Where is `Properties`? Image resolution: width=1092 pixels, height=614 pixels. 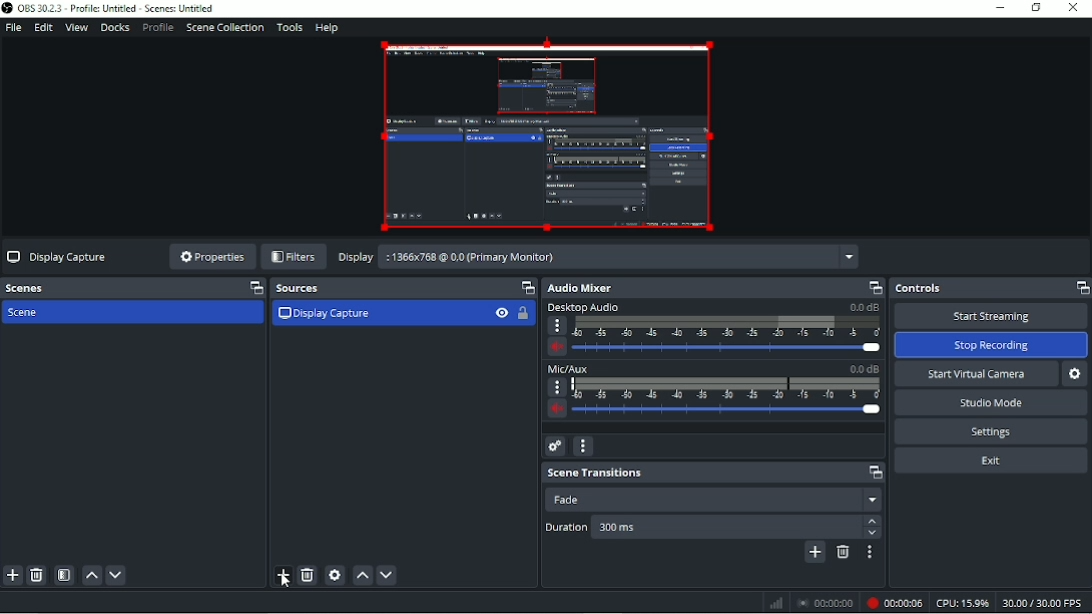
Properties is located at coordinates (211, 258).